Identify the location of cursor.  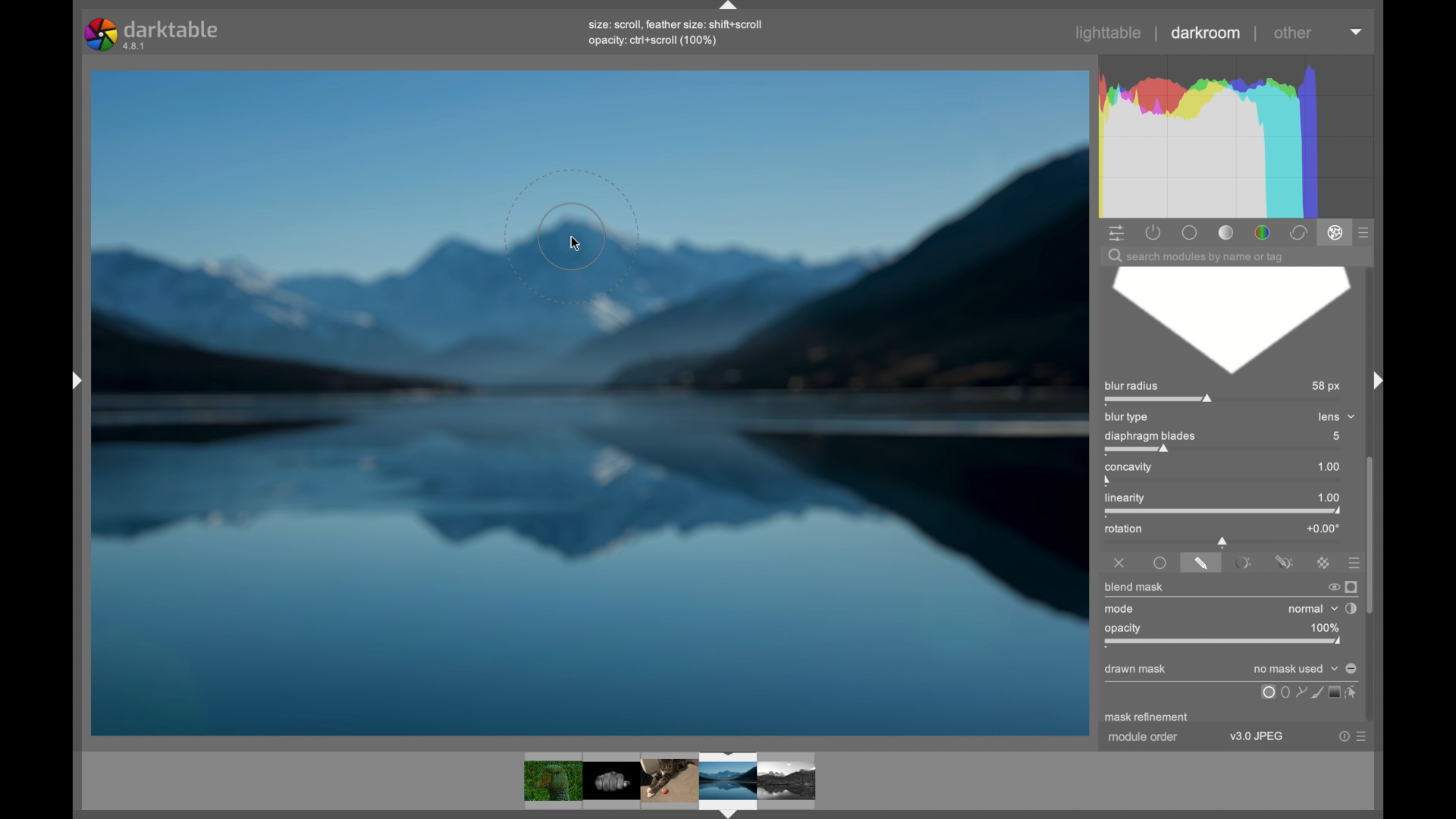
(576, 246).